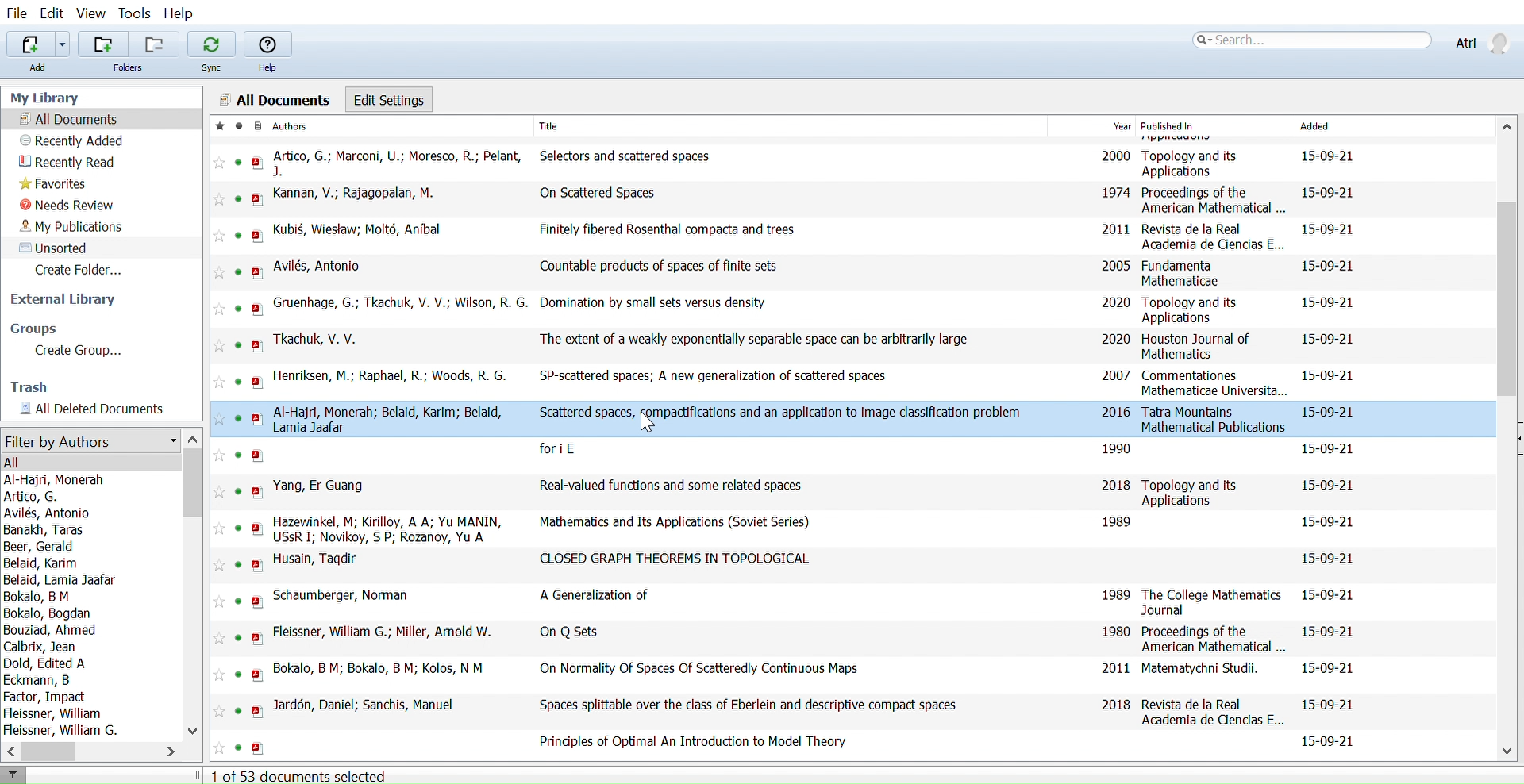 The image size is (1524, 784). What do you see at coordinates (219, 201) in the screenshot?
I see `Favourite` at bounding box center [219, 201].